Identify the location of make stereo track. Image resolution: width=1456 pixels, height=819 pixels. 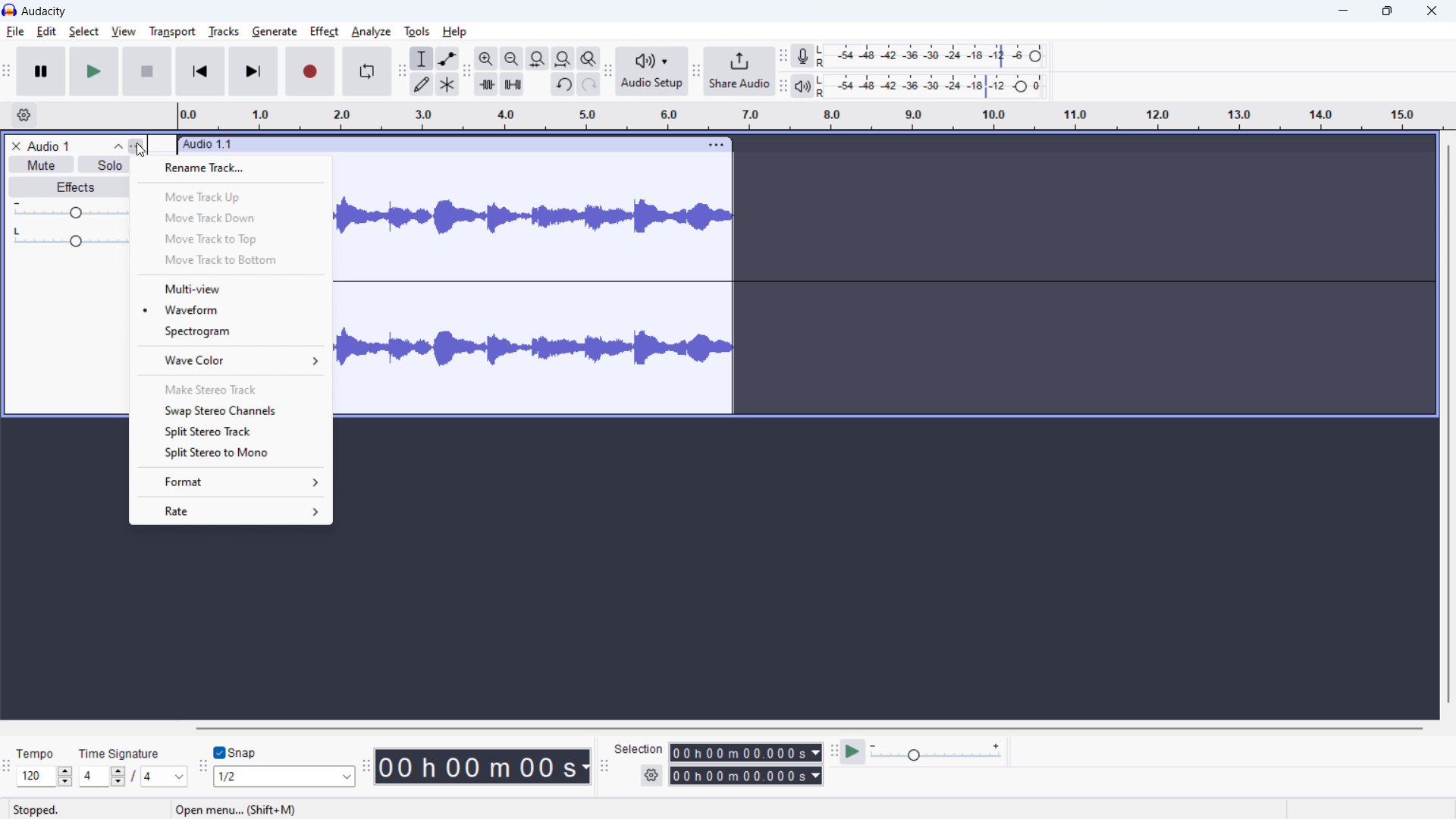
(231, 389).